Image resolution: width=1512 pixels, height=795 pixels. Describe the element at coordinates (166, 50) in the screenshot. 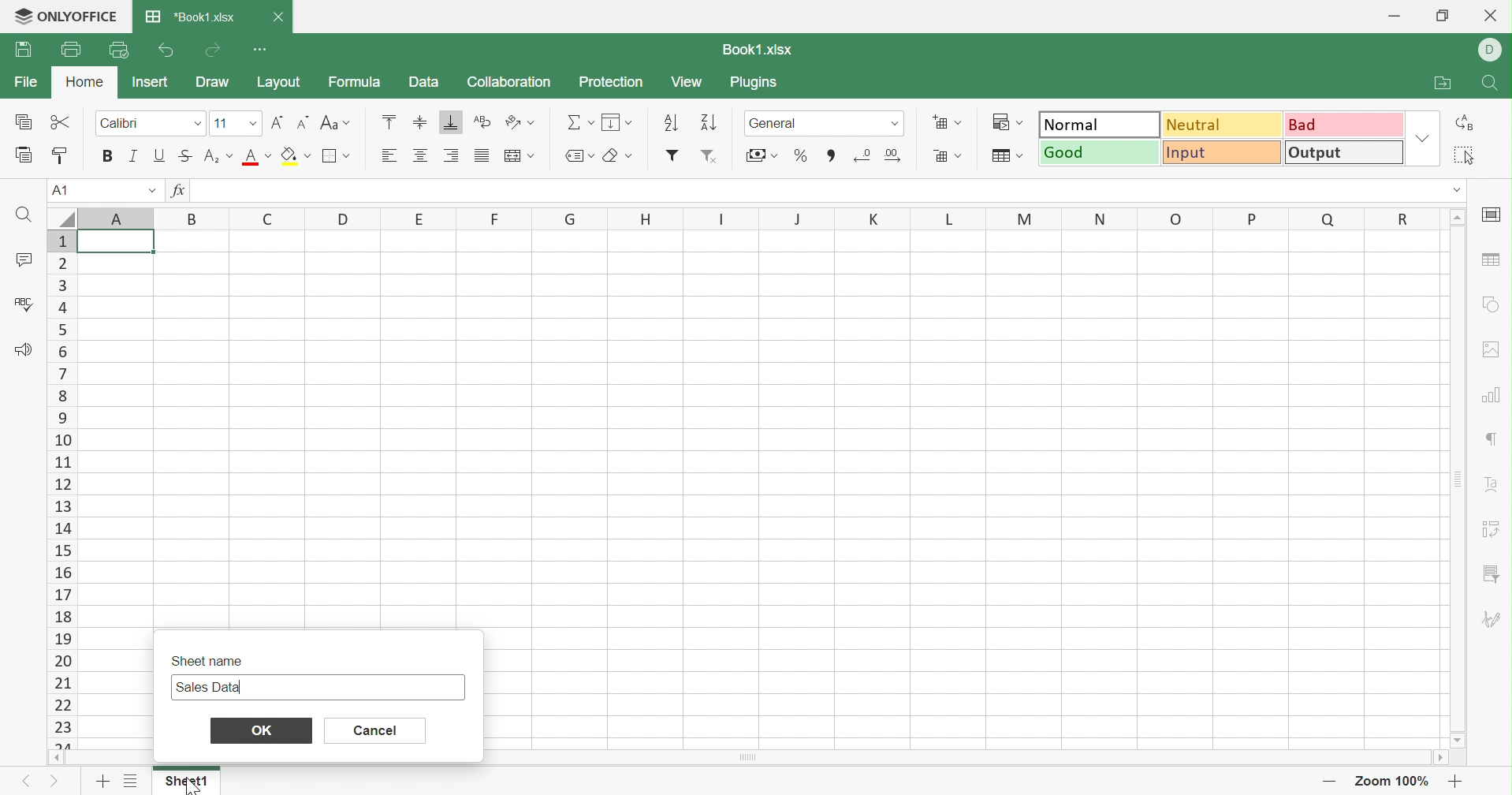

I see `Undo` at that location.